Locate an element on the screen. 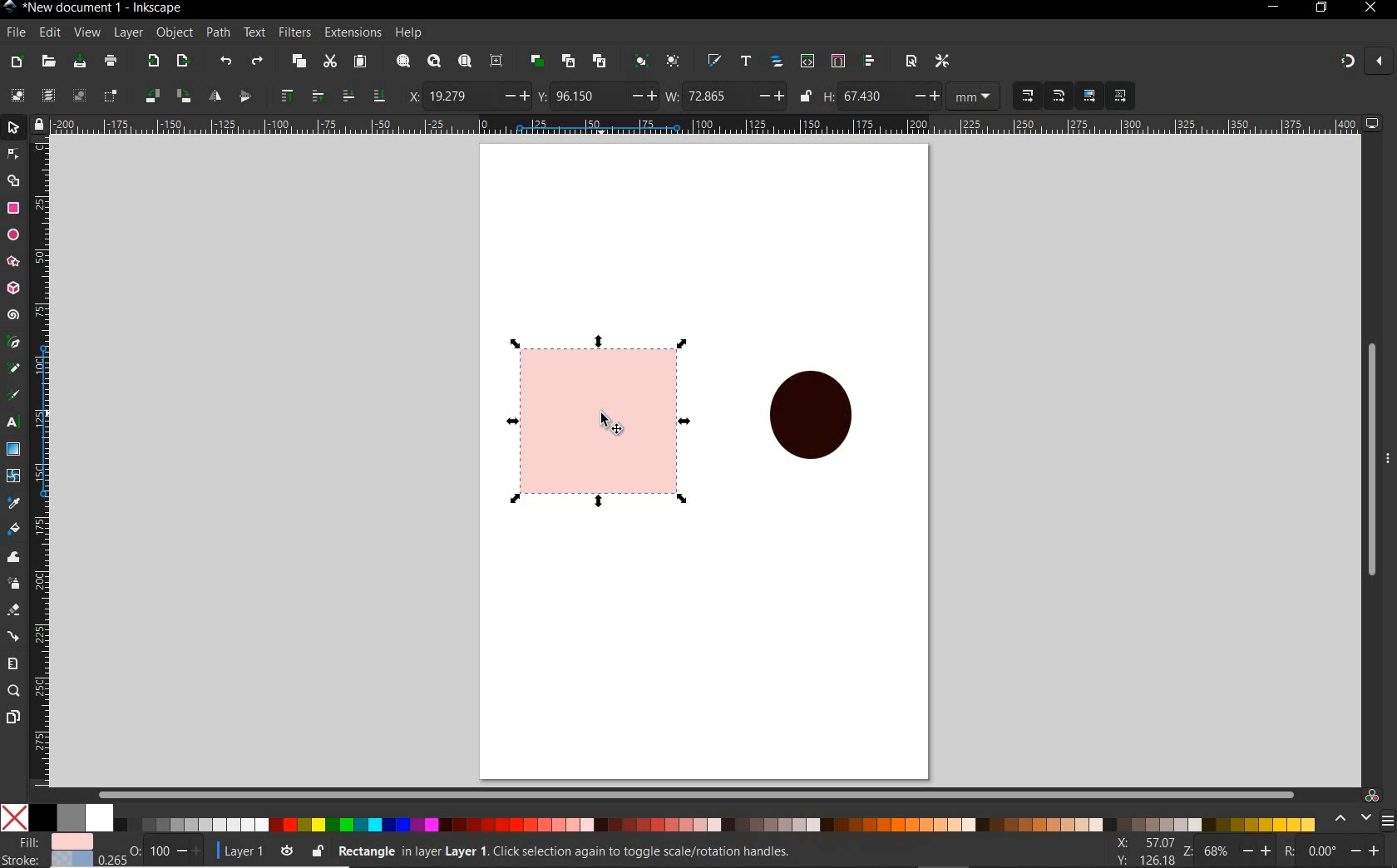  path is located at coordinates (218, 33).